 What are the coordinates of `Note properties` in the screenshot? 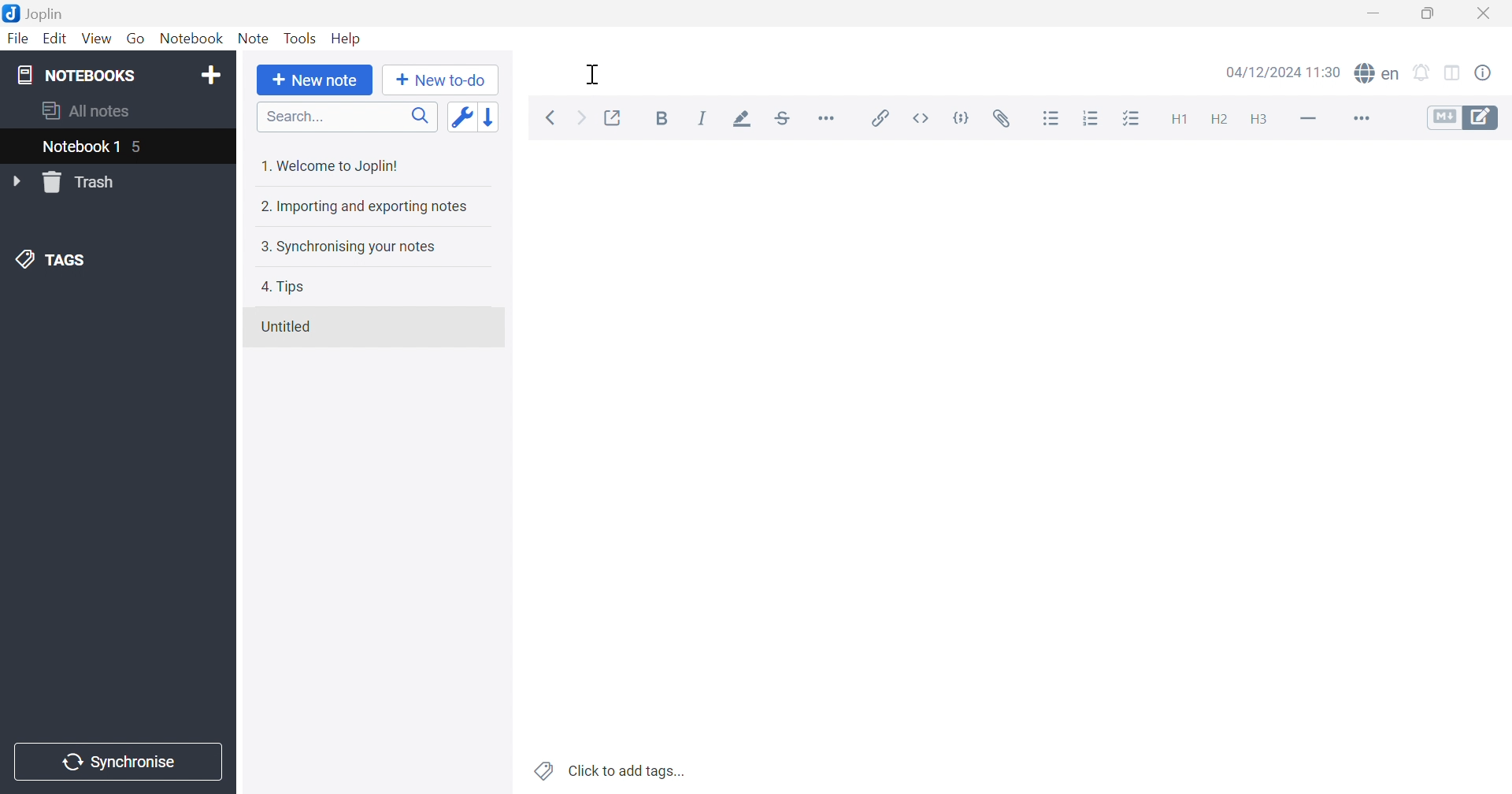 It's located at (1486, 74).